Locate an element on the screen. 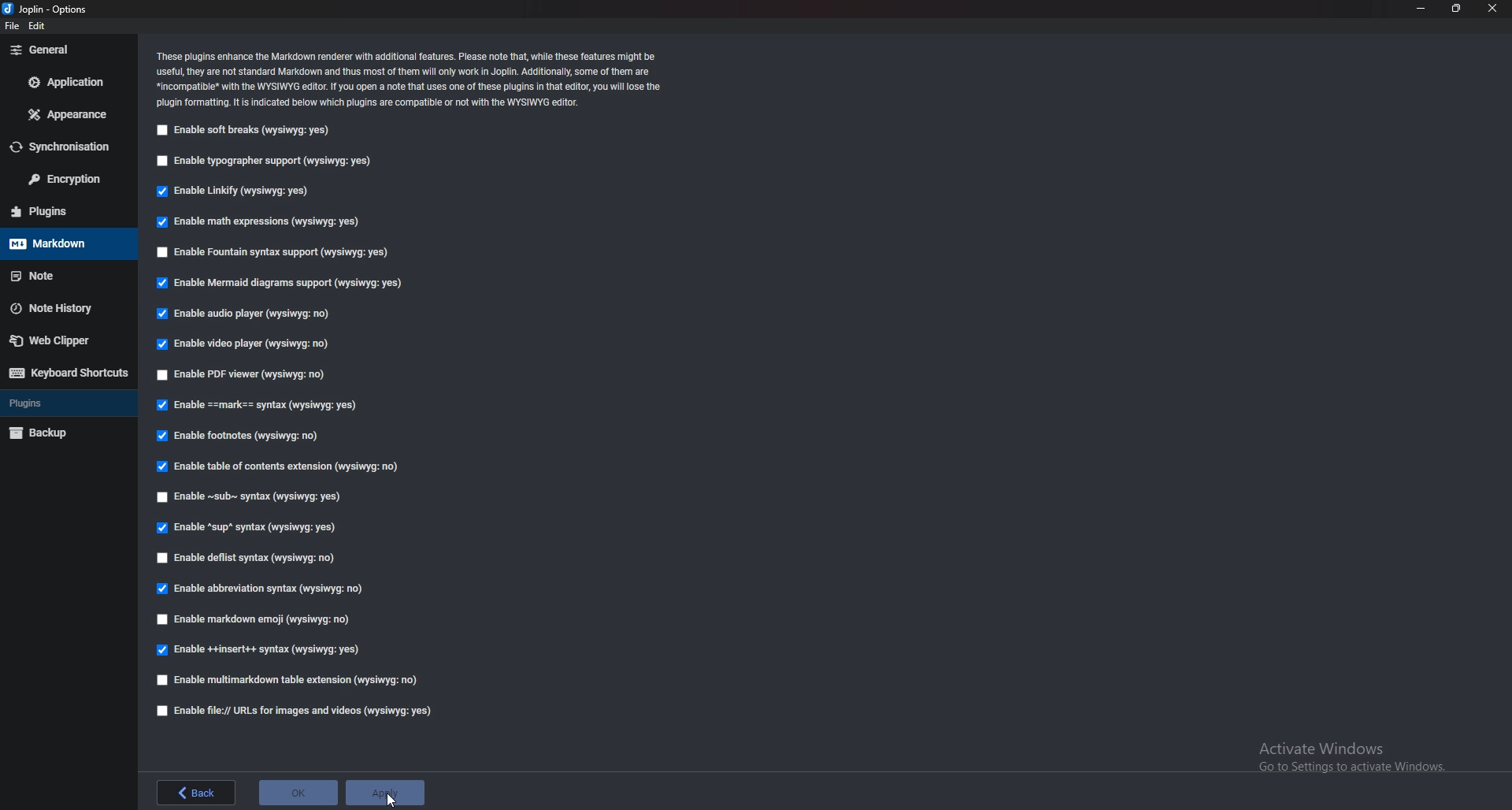 Image resolution: width=1512 pixels, height=810 pixels. Enable Mark Syntax is located at coordinates (262, 405).